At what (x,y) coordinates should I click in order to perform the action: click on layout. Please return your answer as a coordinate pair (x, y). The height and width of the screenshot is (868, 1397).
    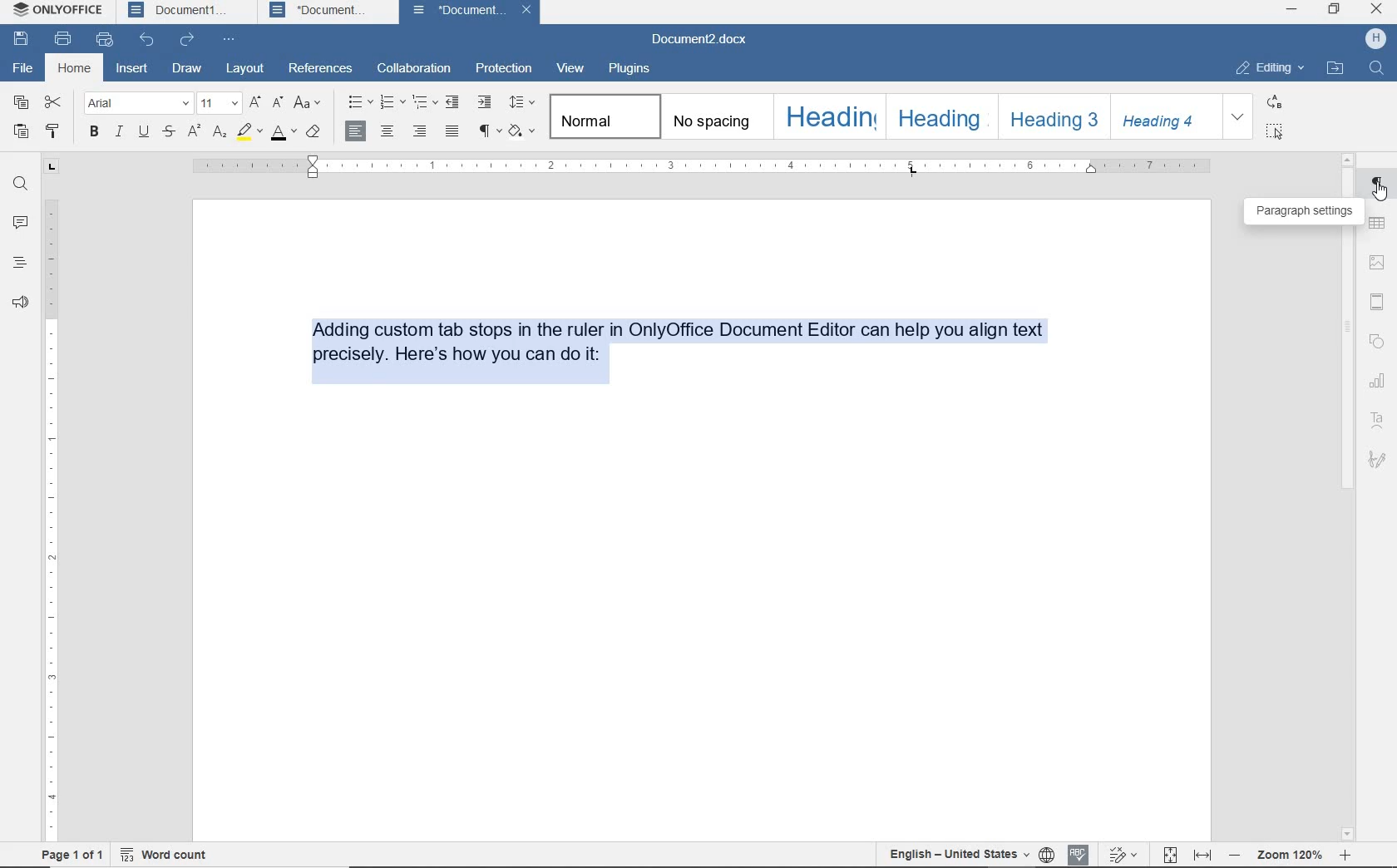
    Looking at the image, I should click on (248, 68).